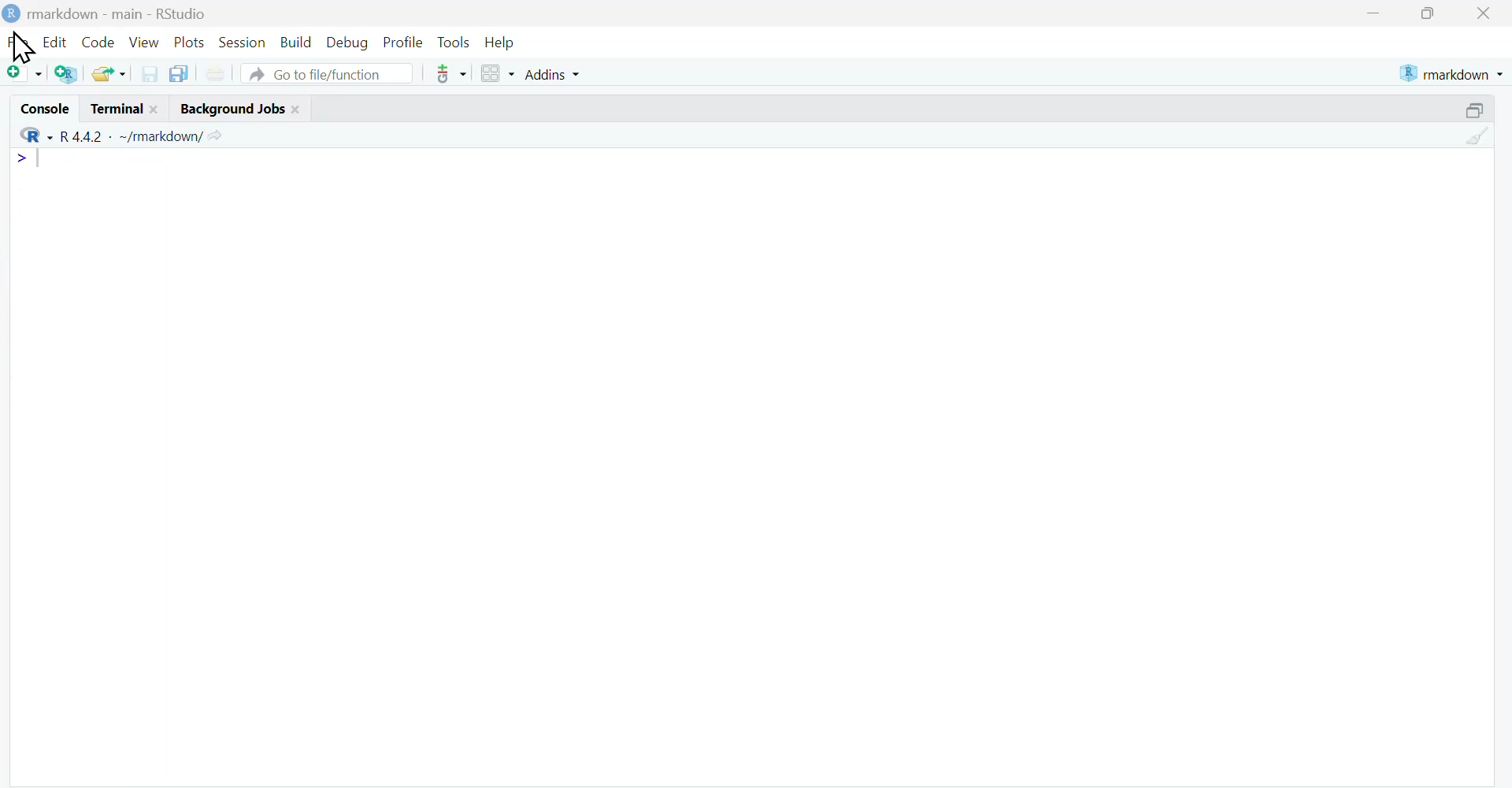  What do you see at coordinates (402, 43) in the screenshot?
I see `Profile` at bounding box center [402, 43].